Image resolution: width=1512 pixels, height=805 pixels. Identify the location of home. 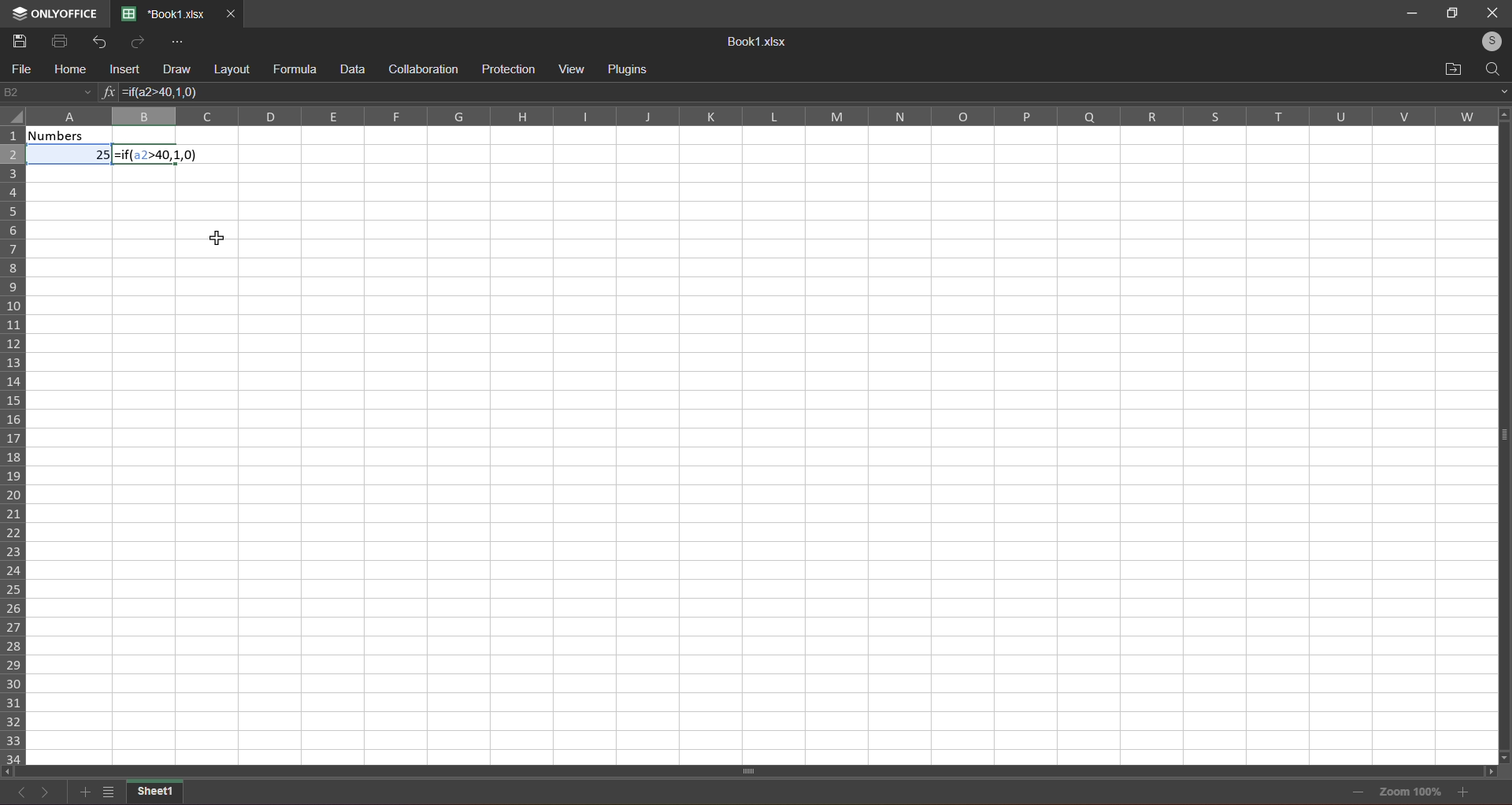
(66, 70).